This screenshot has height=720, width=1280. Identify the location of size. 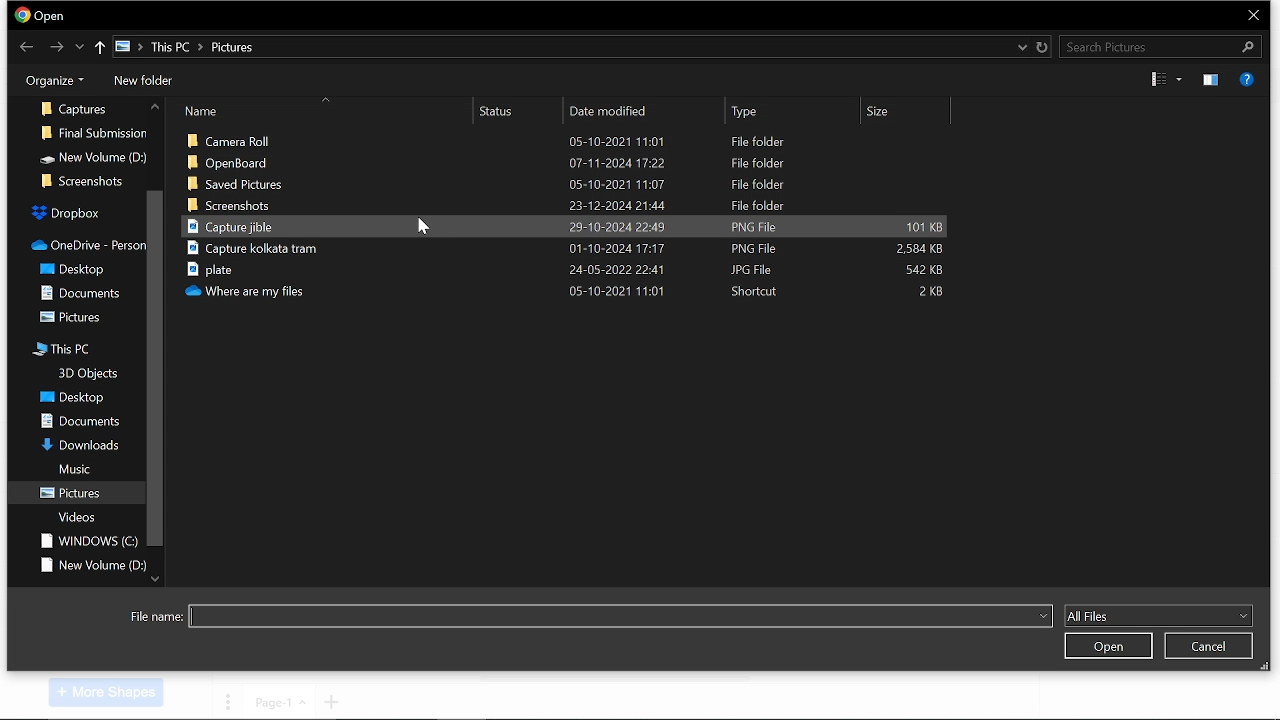
(912, 112).